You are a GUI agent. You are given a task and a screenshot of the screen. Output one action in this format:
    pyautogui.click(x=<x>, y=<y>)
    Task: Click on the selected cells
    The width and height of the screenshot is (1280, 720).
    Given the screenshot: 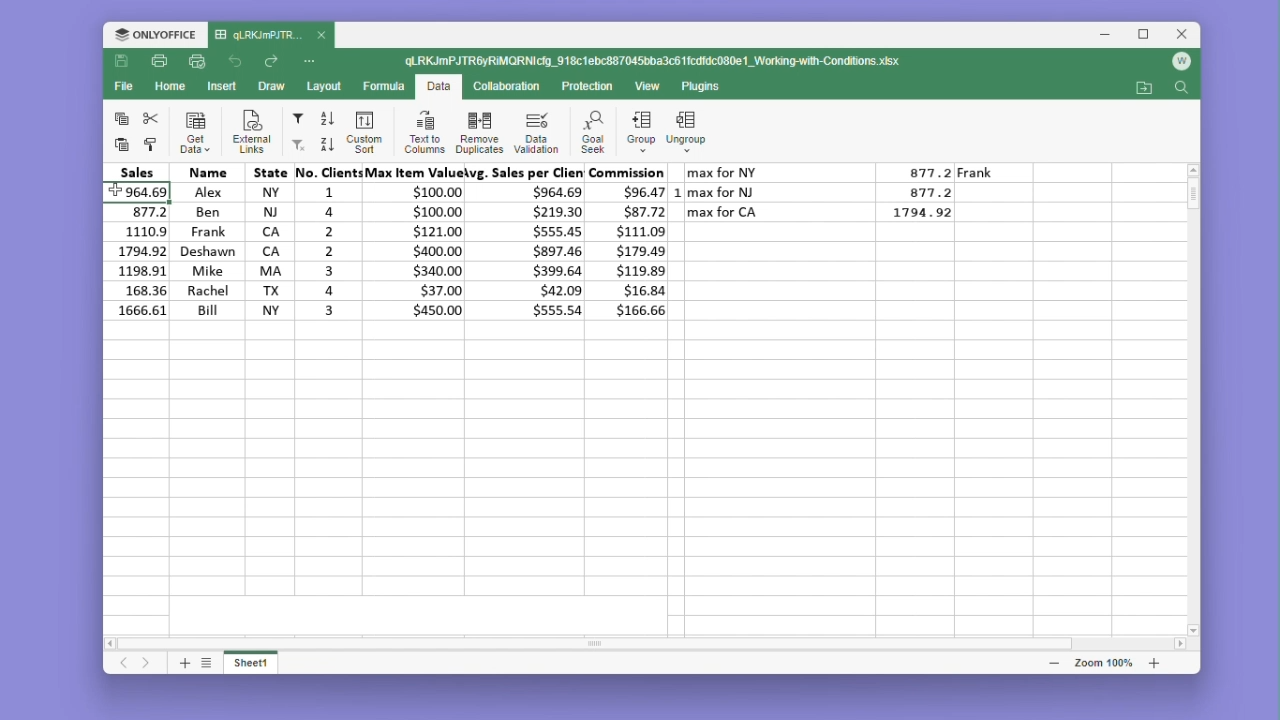 What is the action you would take?
    pyautogui.click(x=137, y=233)
    